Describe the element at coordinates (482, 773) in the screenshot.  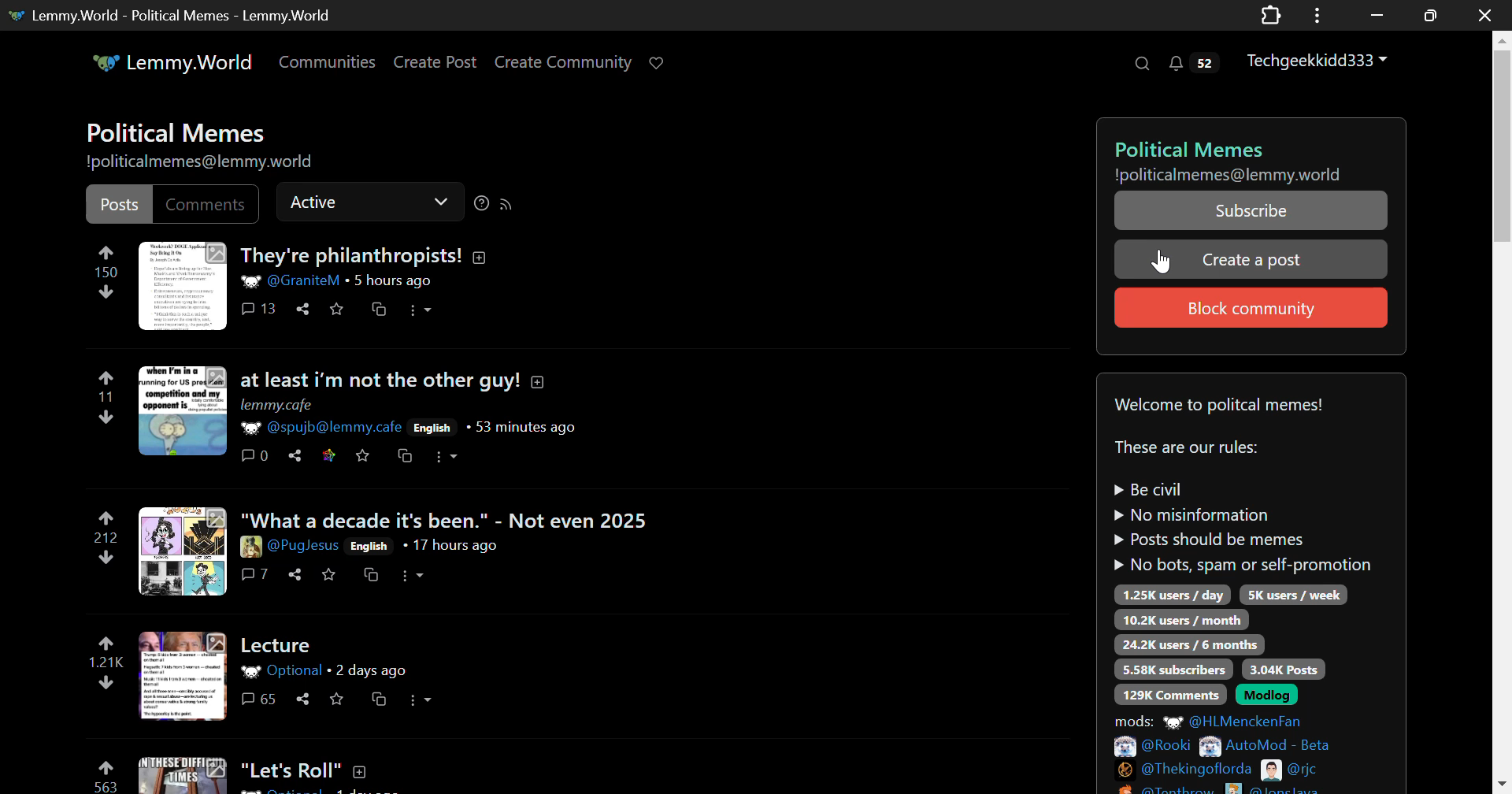
I see `Community Post` at that location.